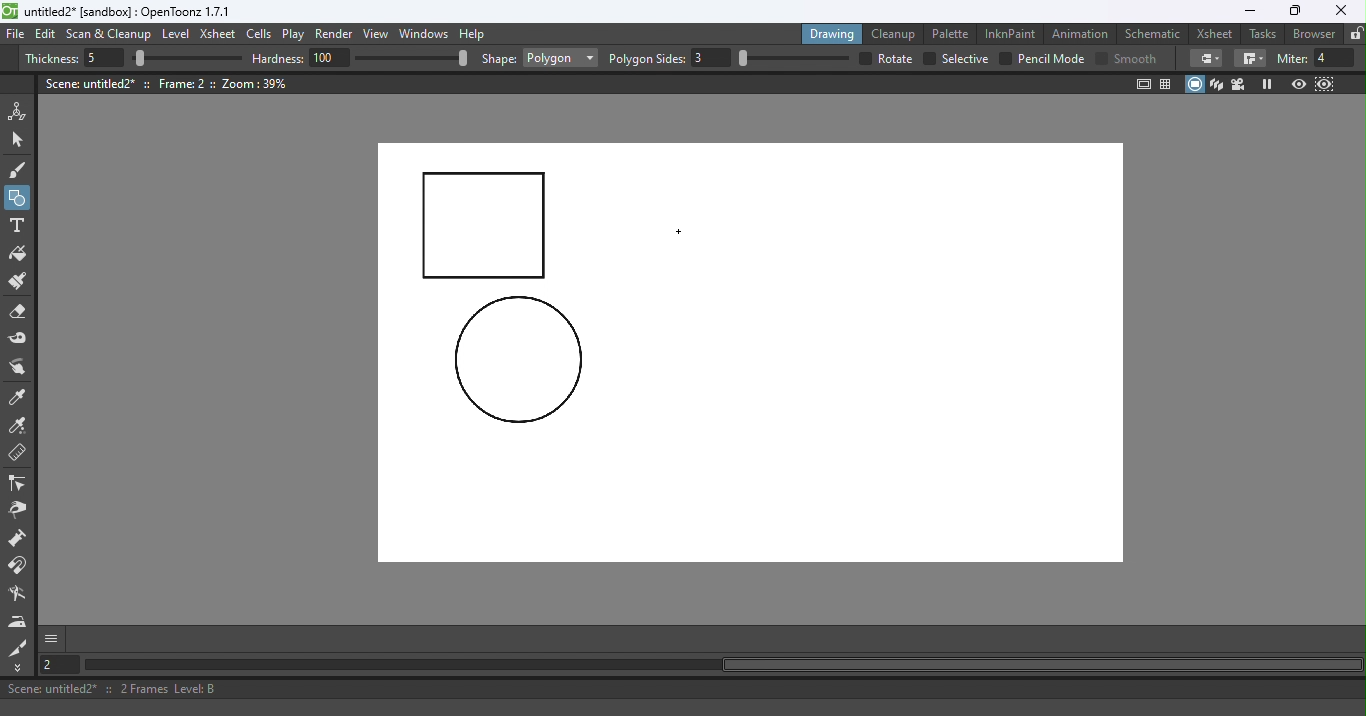 This screenshot has width=1366, height=716. I want to click on Magnet tool, so click(19, 566).